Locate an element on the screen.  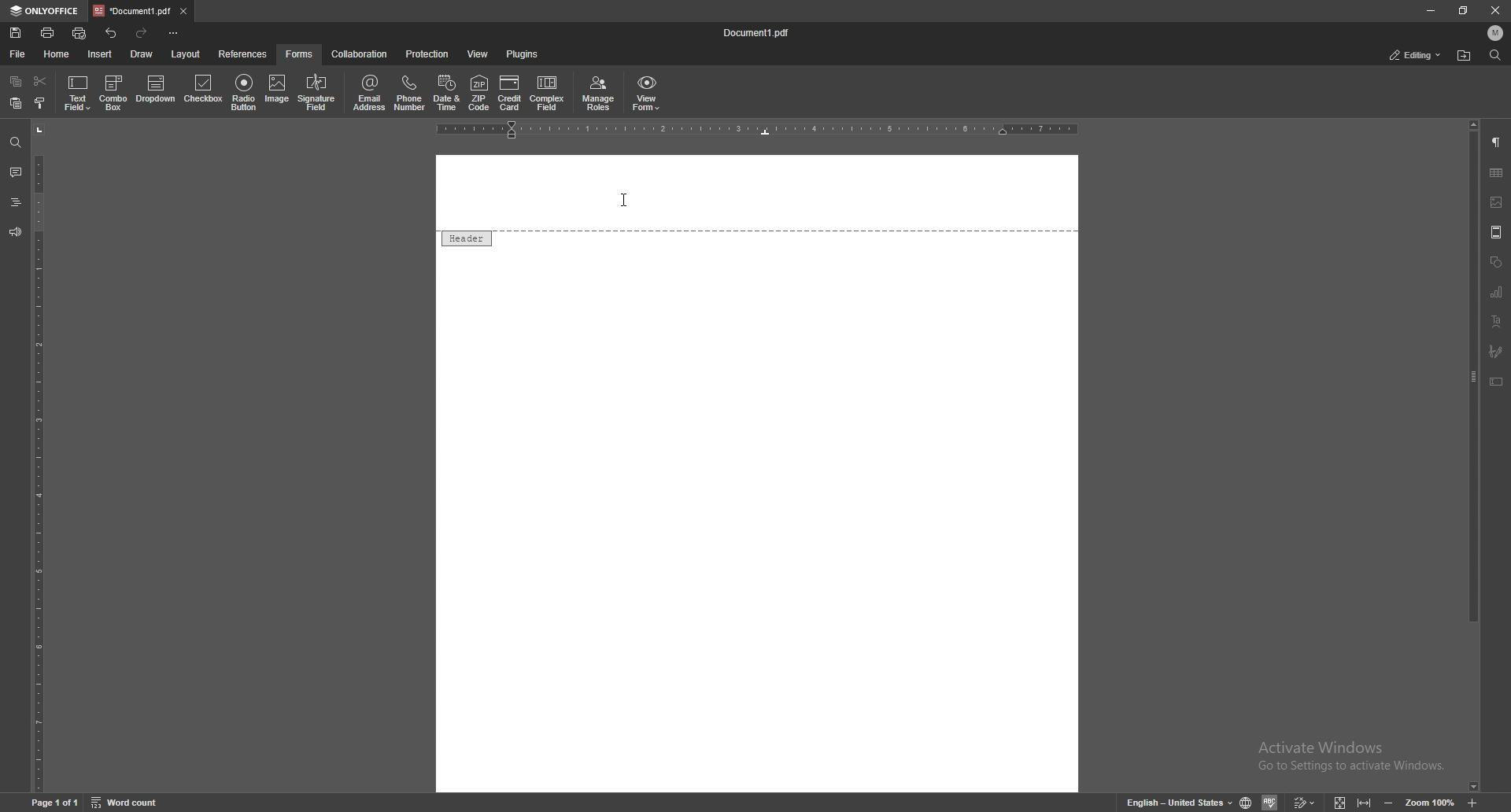
complex field is located at coordinates (547, 94).